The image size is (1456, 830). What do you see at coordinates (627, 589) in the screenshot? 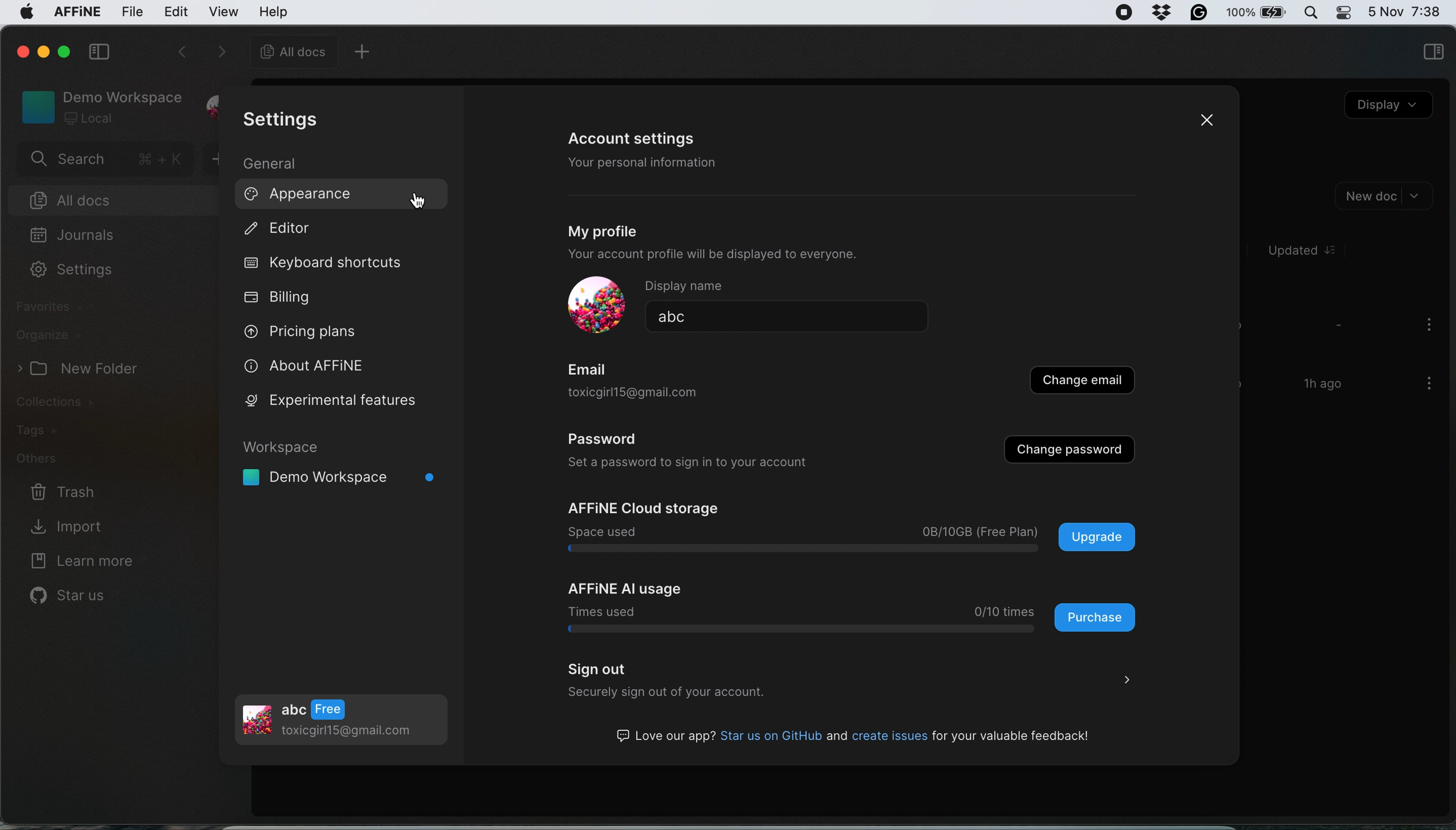
I see `affine ai usage` at bounding box center [627, 589].